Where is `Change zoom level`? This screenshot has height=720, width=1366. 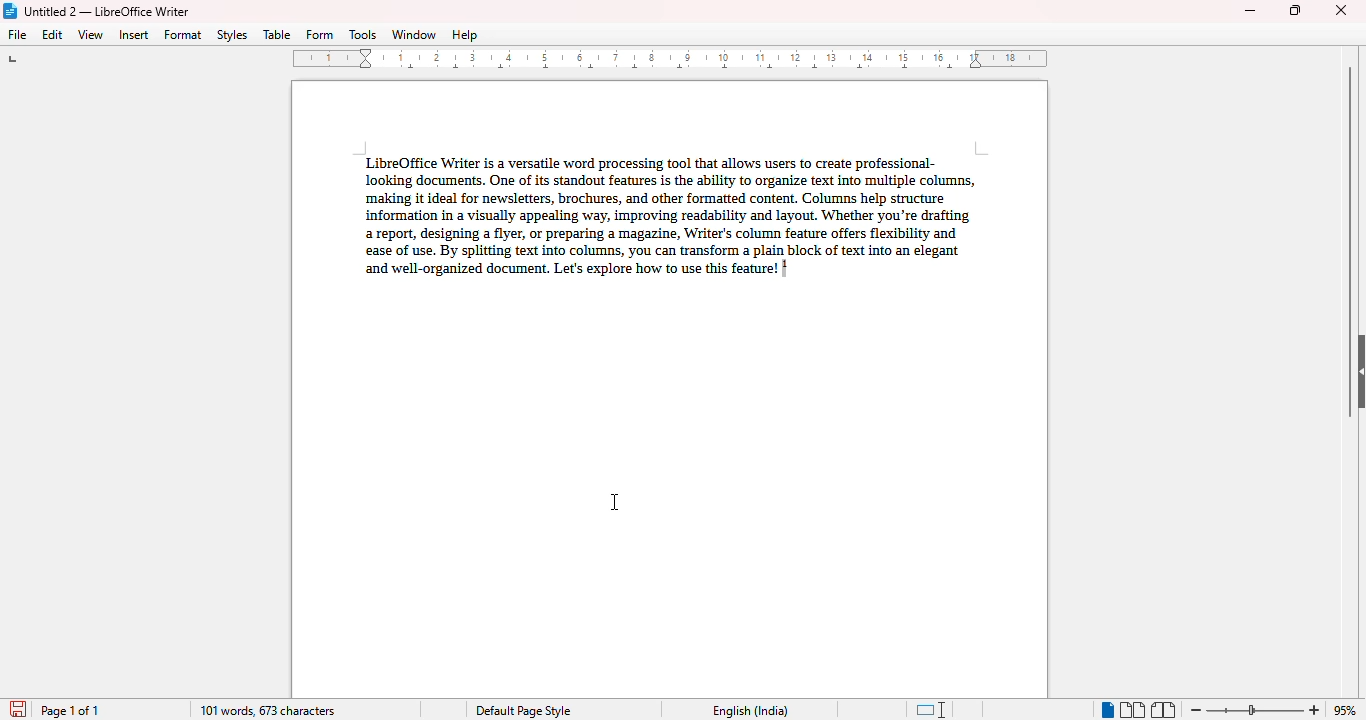 Change zoom level is located at coordinates (1257, 707).